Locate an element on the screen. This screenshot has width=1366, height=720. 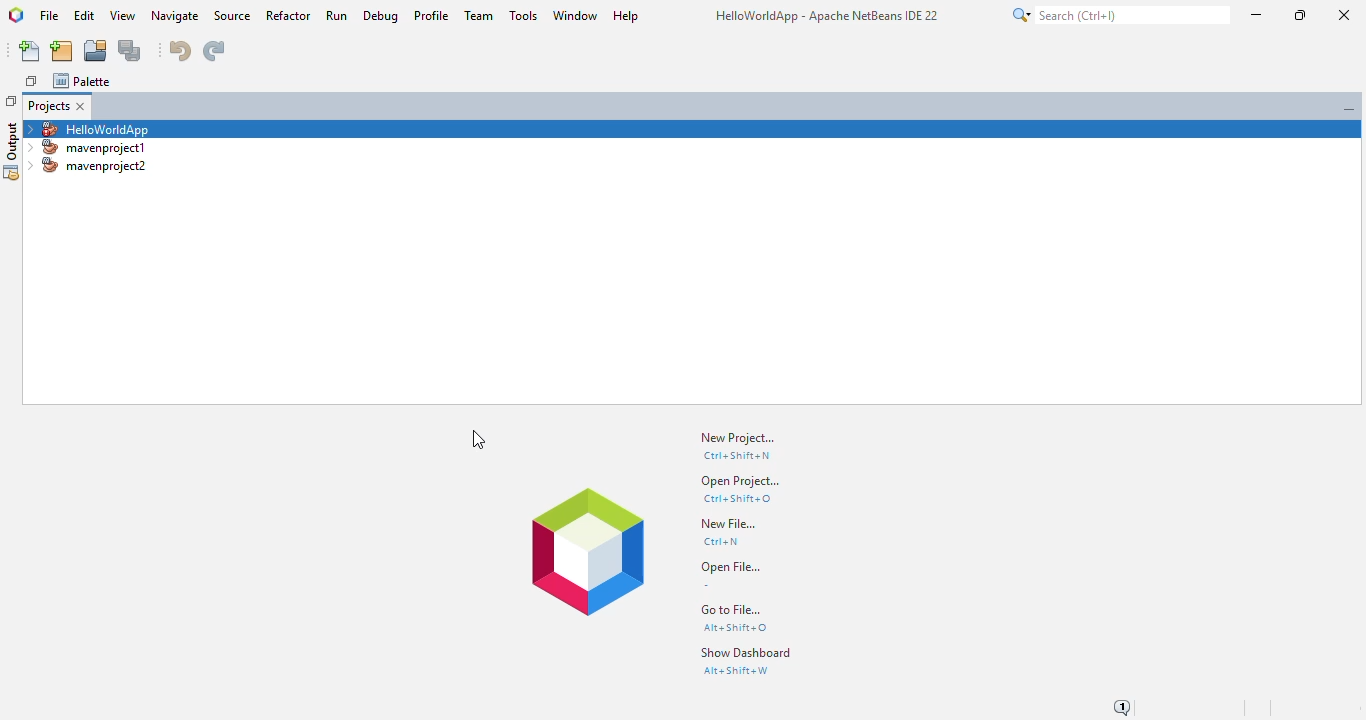
profile is located at coordinates (433, 16).